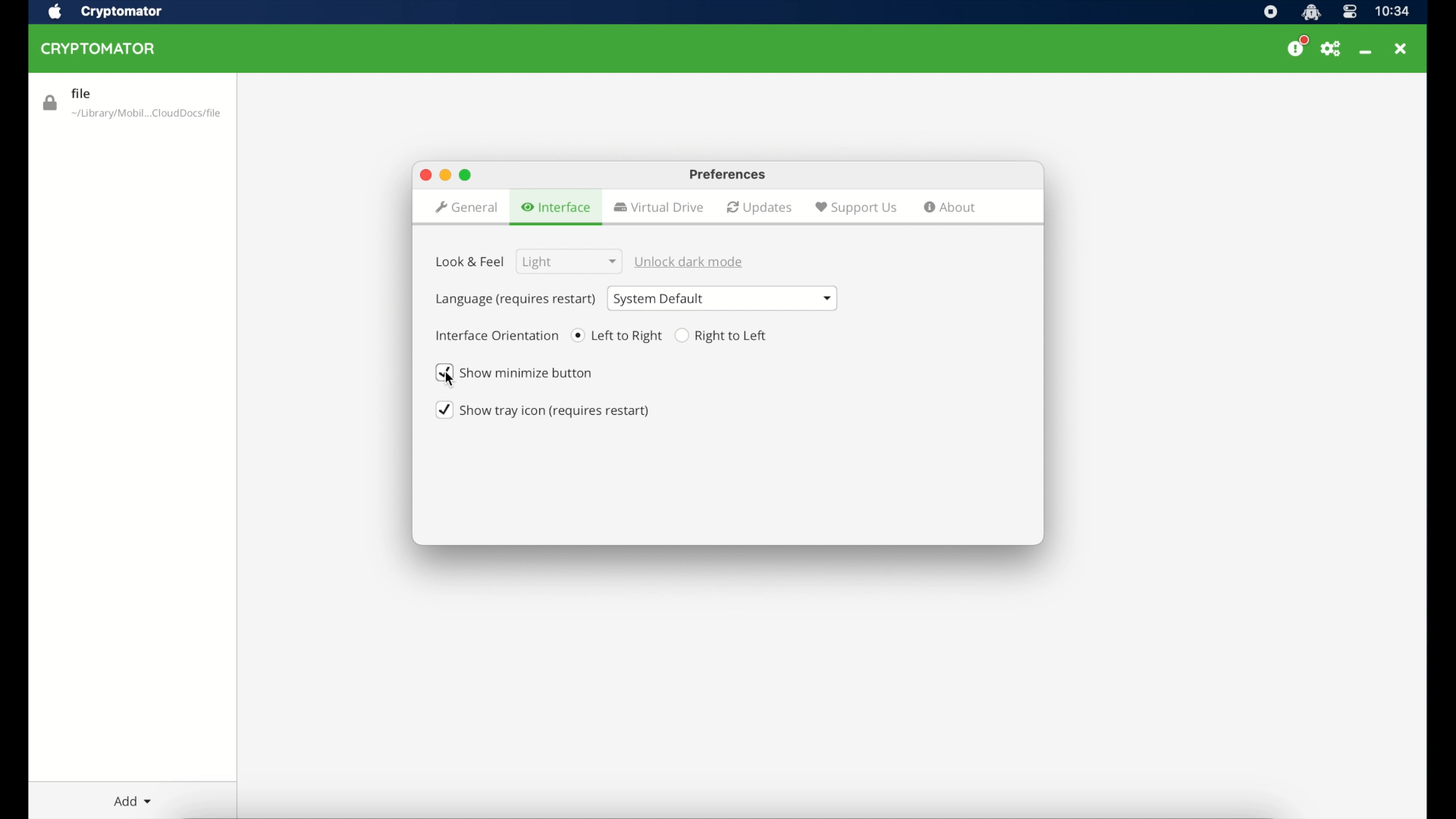 The height and width of the screenshot is (819, 1456). I want to click on updates, so click(760, 208).